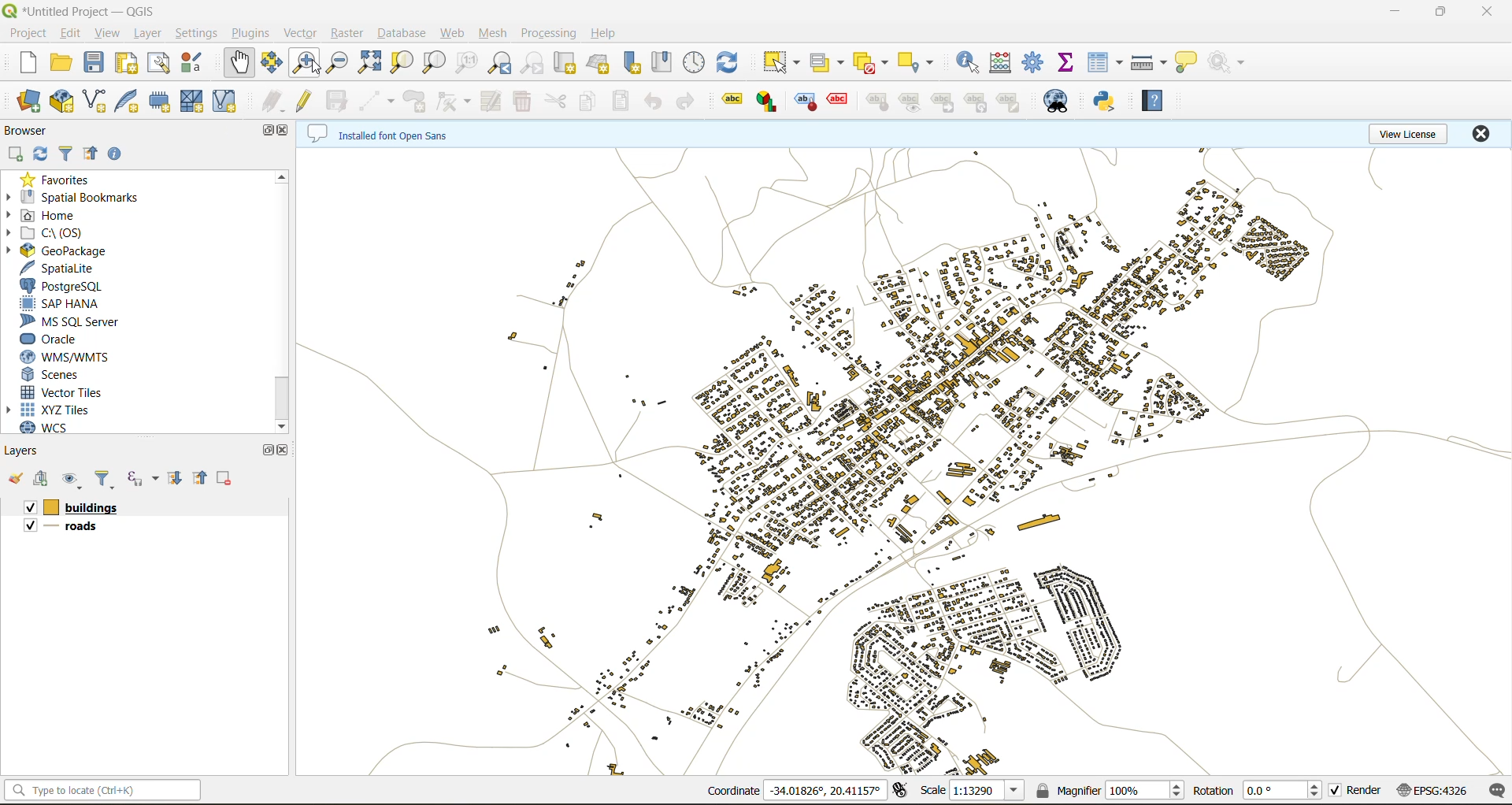 This screenshot has width=1512, height=805. I want to click on new shapefile layer, so click(98, 101).